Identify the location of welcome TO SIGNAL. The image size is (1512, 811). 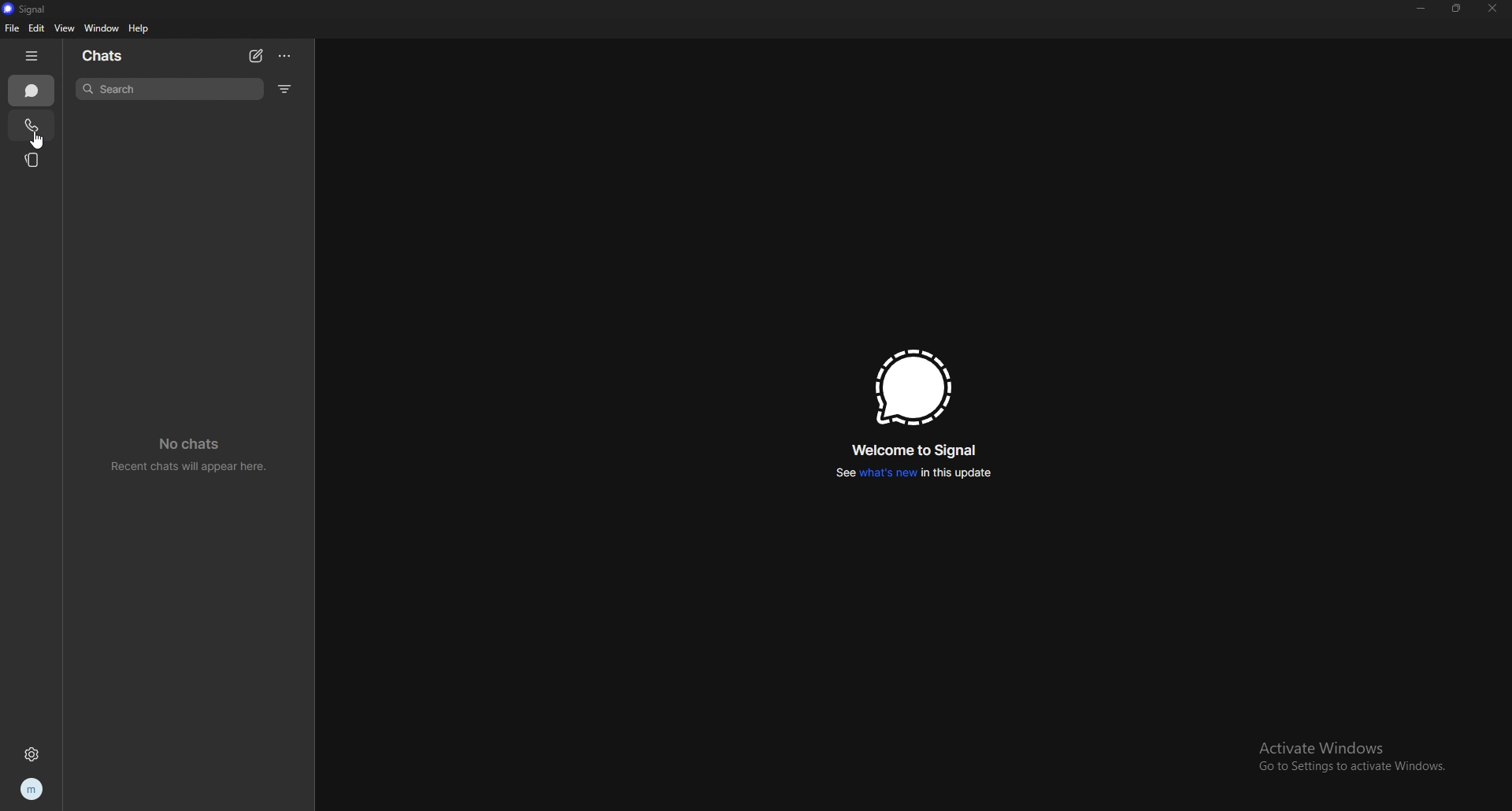
(920, 449).